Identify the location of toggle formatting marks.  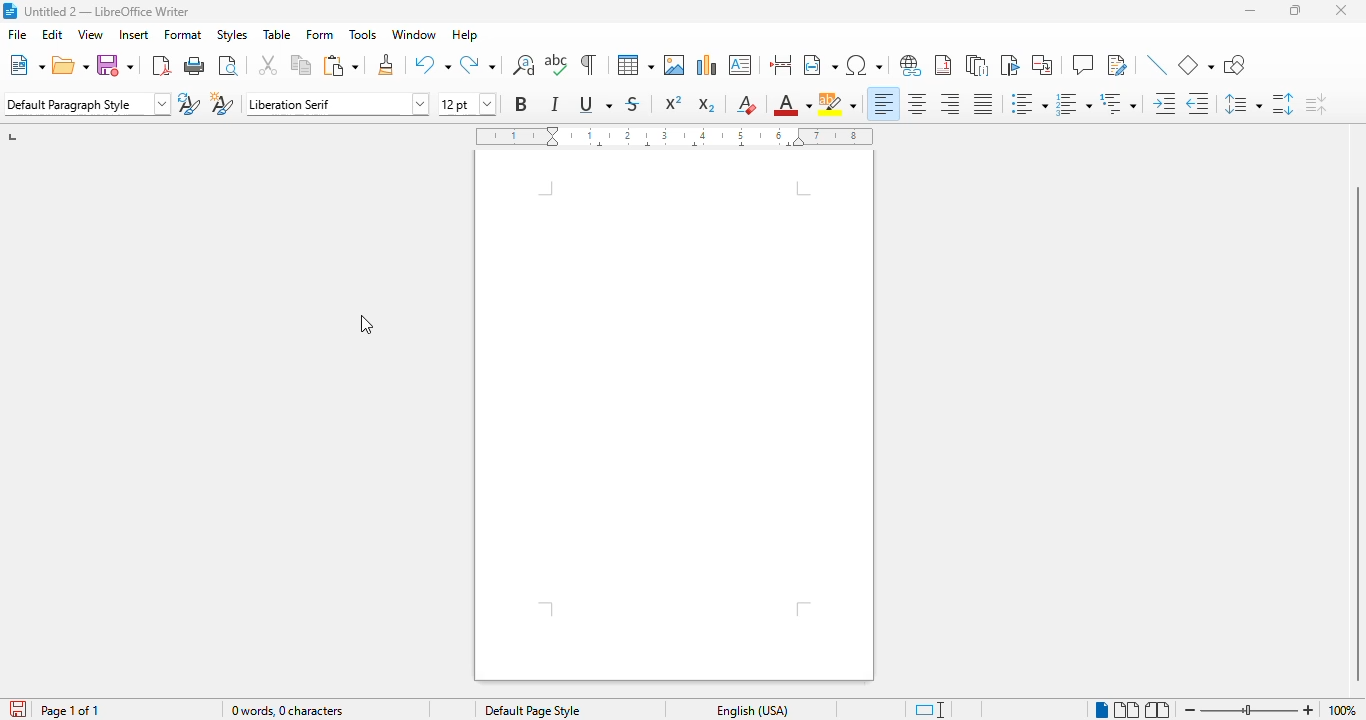
(588, 66).